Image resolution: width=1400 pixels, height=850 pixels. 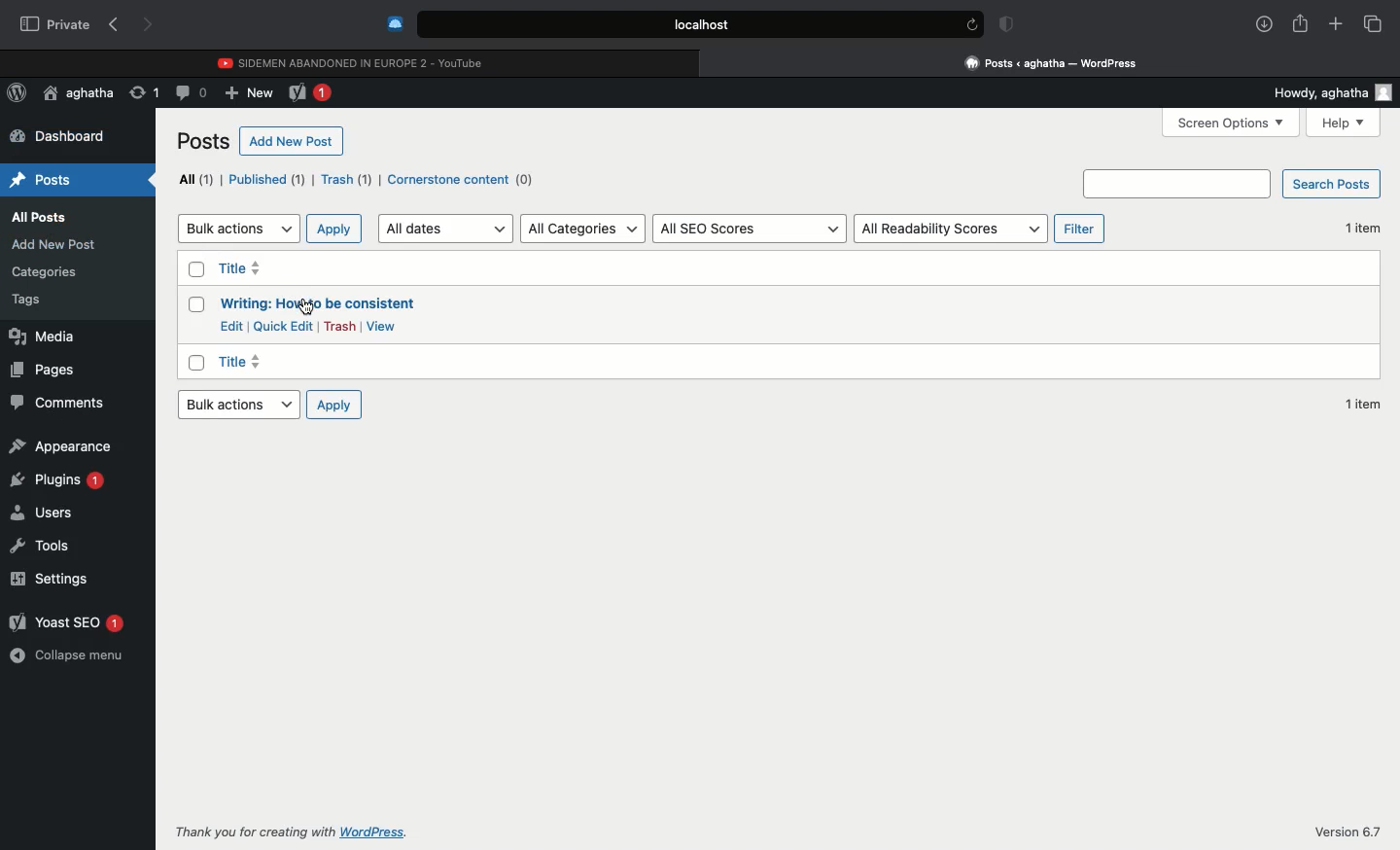 What do you see at coordinates (69, 445) in the screenshot?
I see `appearance` at bounding box center [69, 445].